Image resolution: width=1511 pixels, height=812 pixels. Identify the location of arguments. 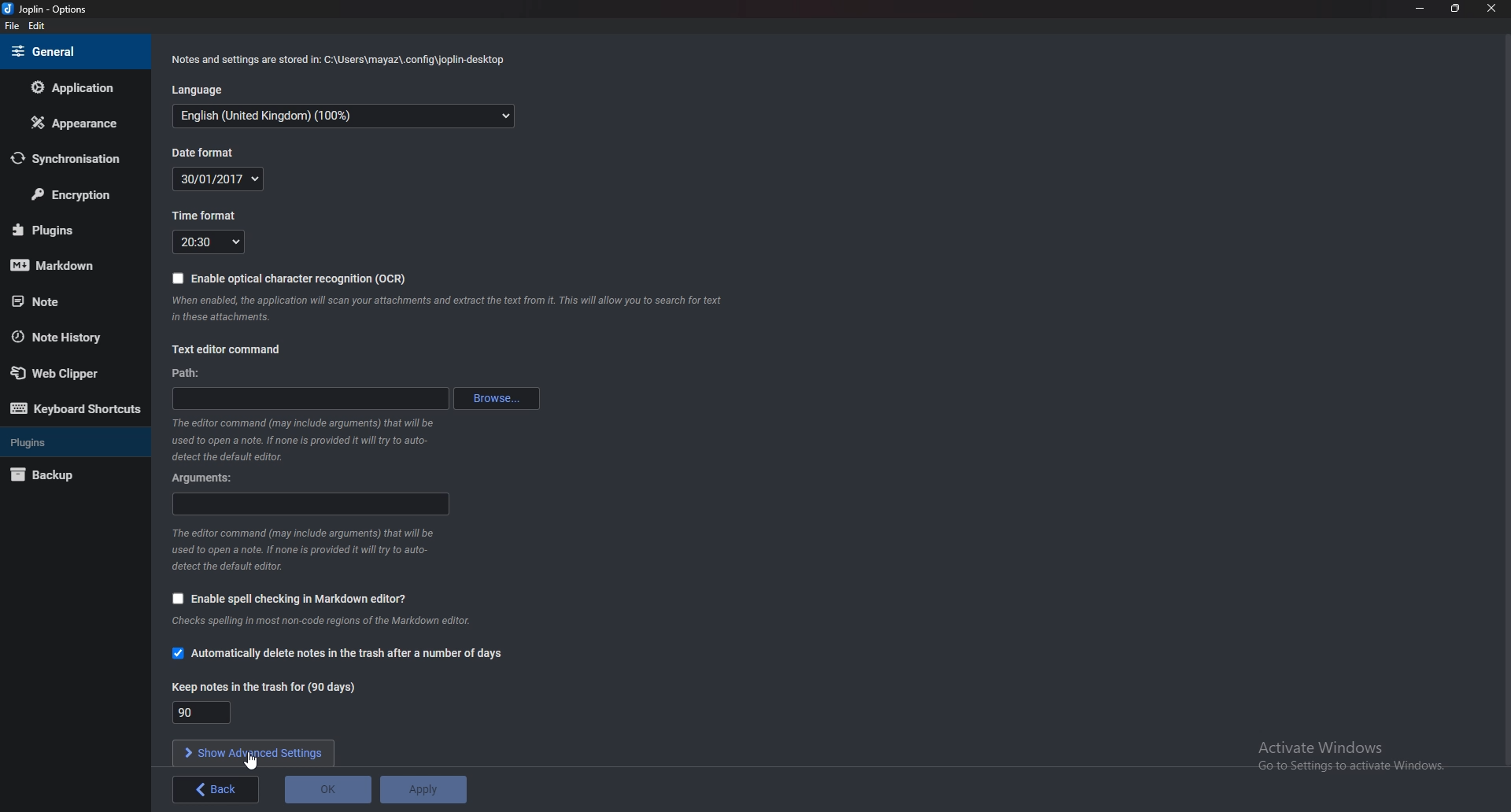
(313, 504).